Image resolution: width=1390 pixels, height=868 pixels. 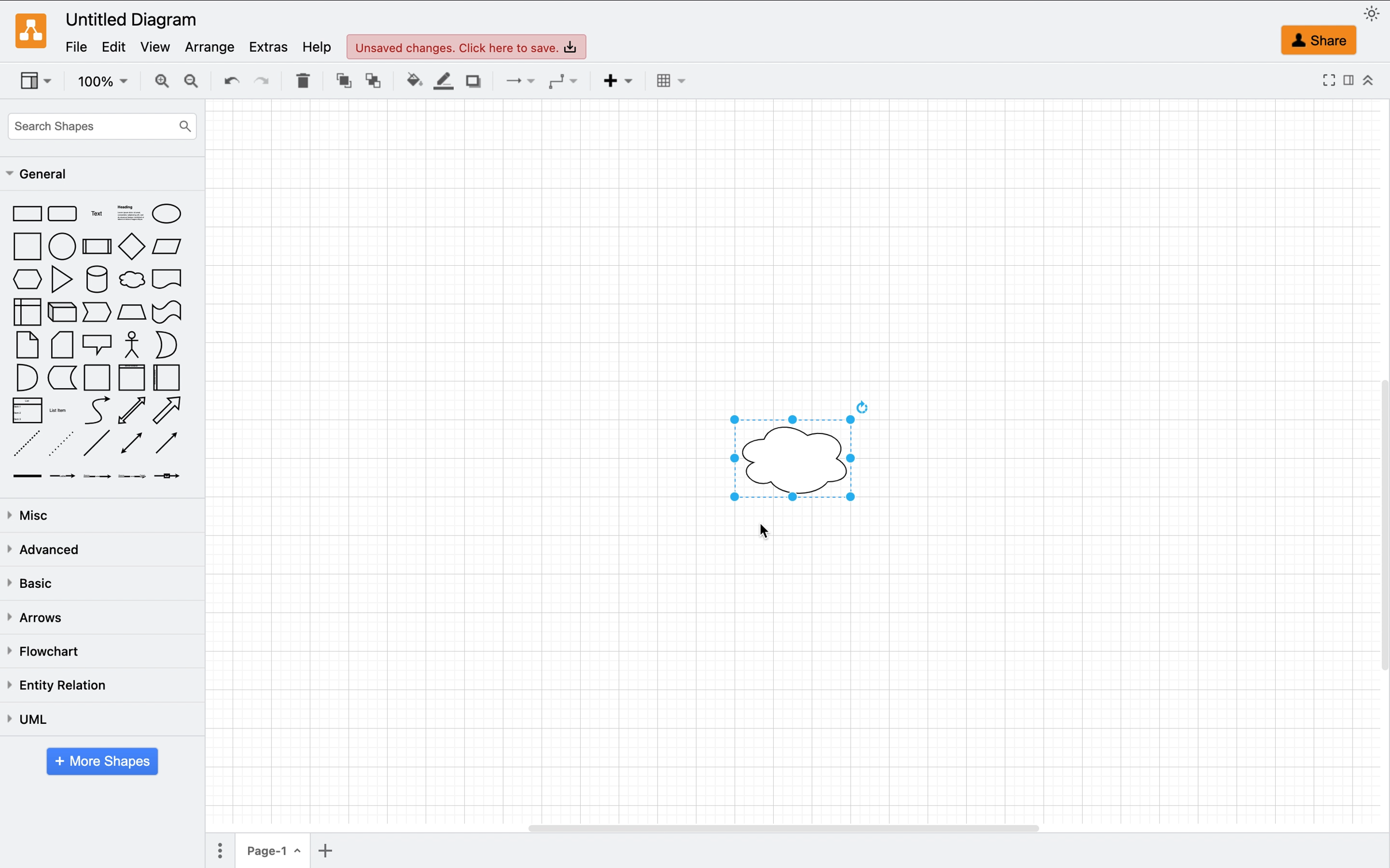 What do you see at coordinates (131, 247) in the screenshot?
I see `diamond` at bounding box center [131, 247].